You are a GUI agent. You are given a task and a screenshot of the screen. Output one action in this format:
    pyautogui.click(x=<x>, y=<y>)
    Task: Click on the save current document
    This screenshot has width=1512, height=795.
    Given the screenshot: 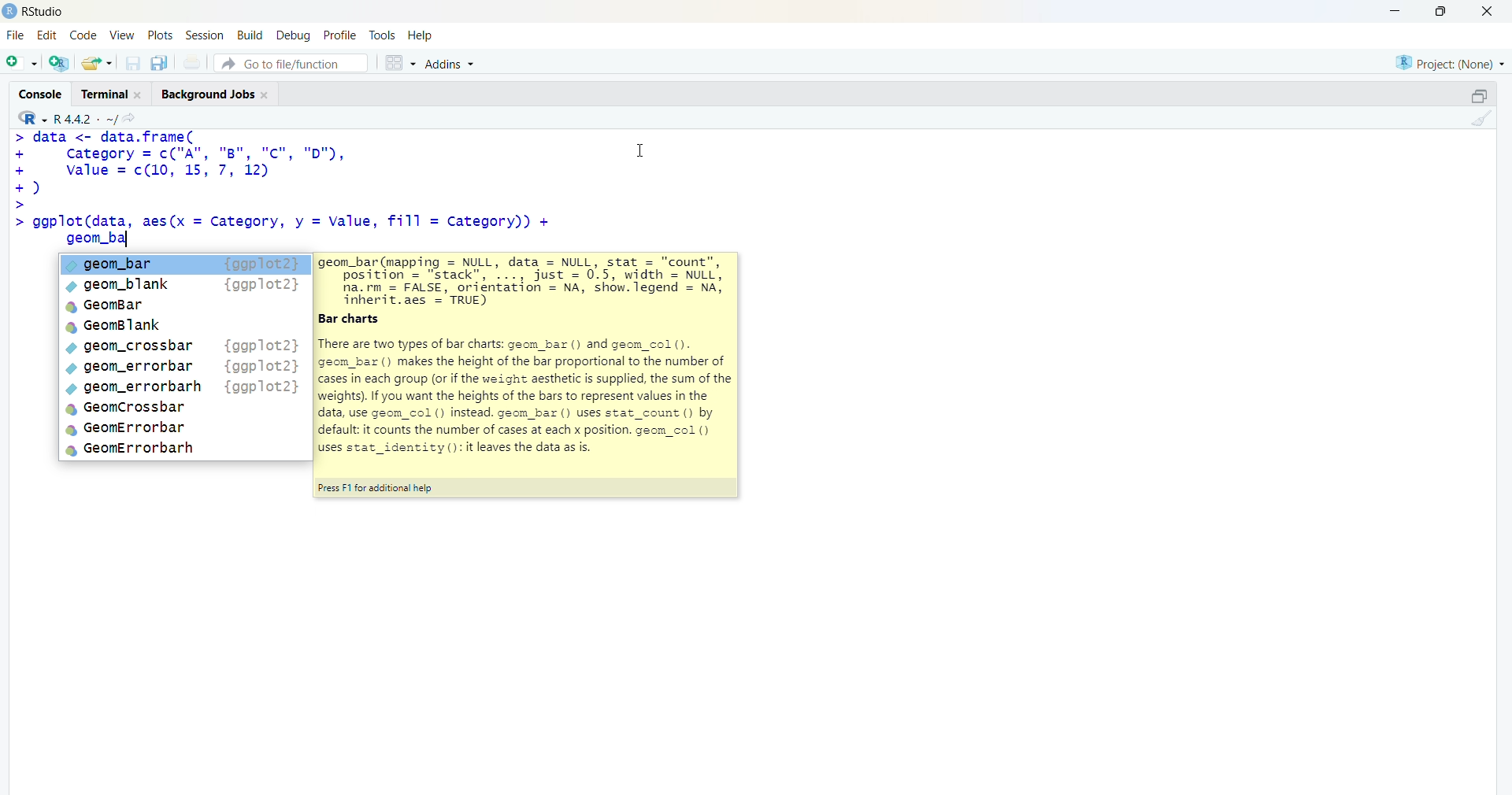 What is the action you would take?
    pyautogui.click(x=132, y=63)
    